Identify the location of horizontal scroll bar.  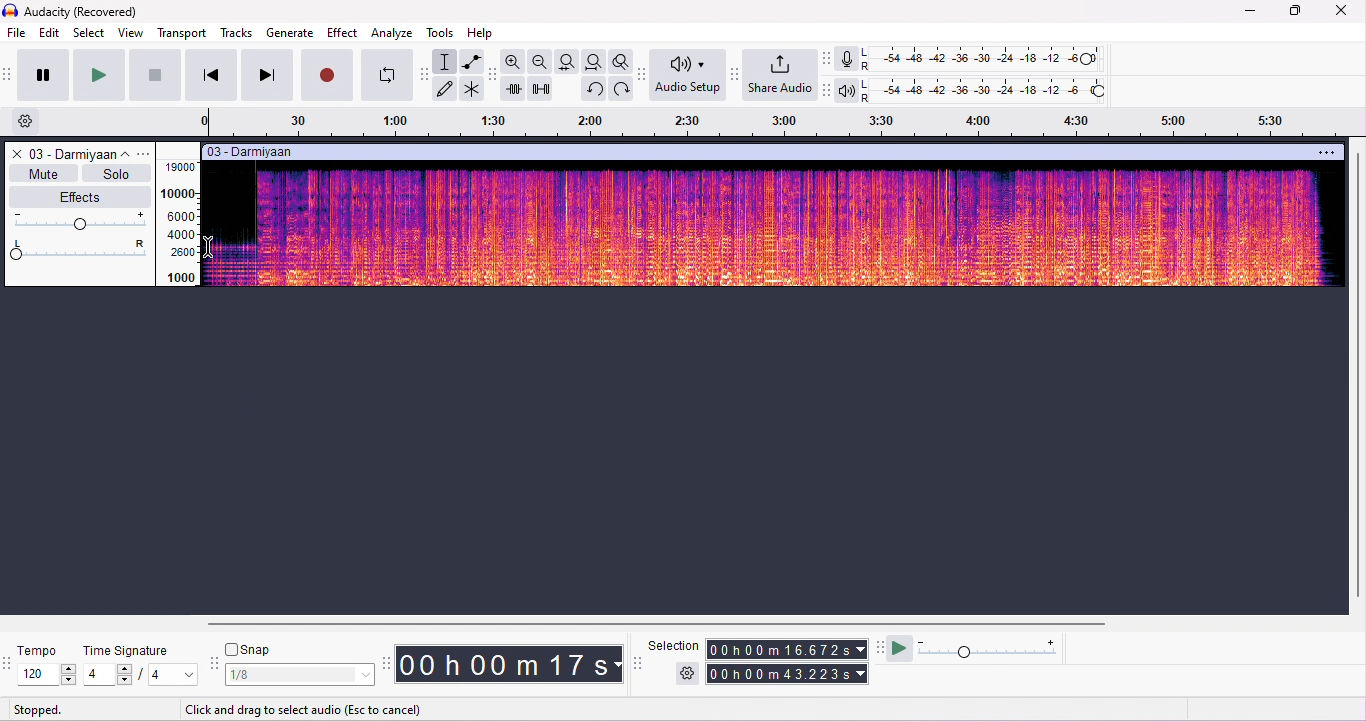
(664, 622).